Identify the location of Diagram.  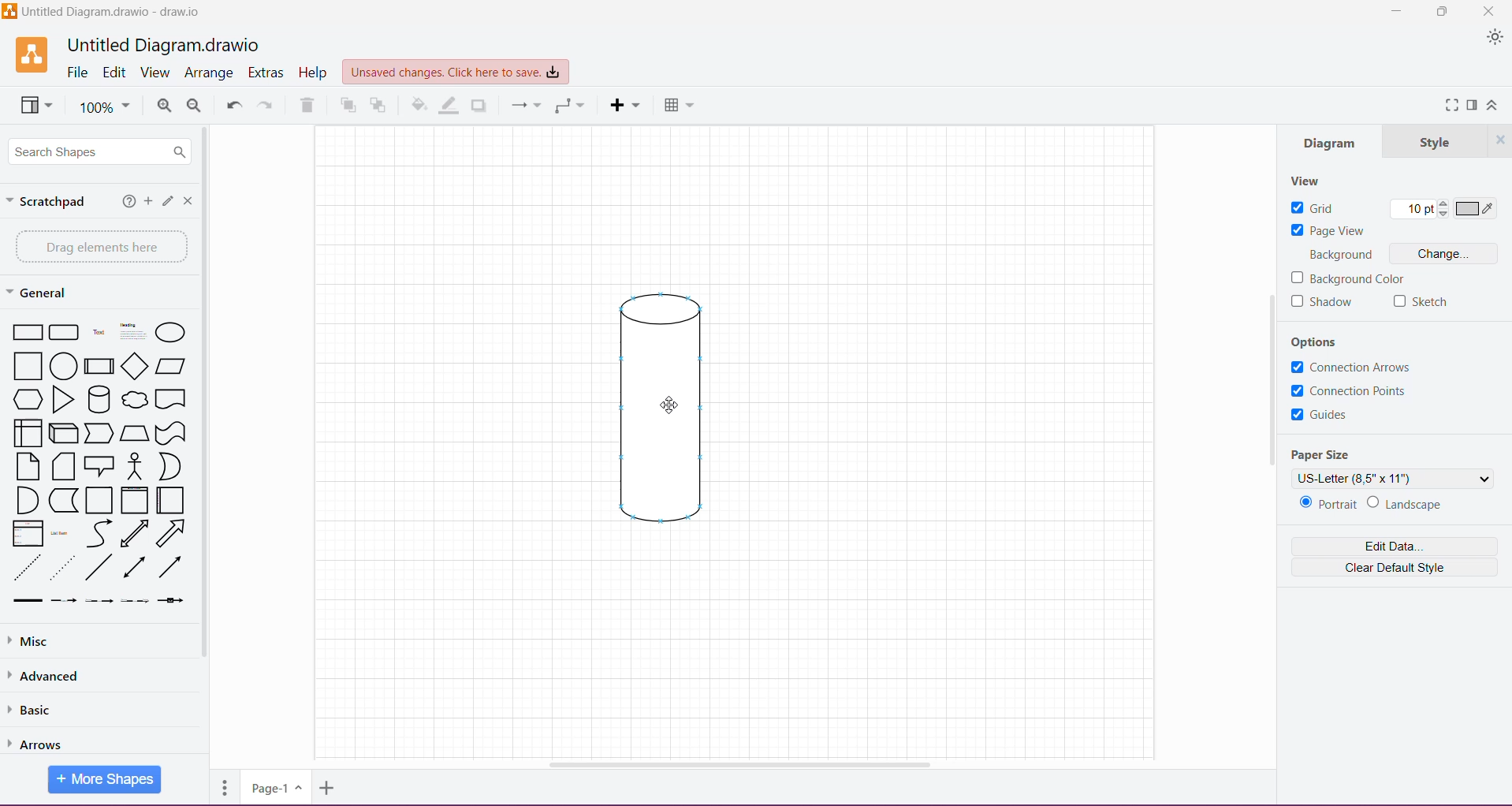
(667, 412).